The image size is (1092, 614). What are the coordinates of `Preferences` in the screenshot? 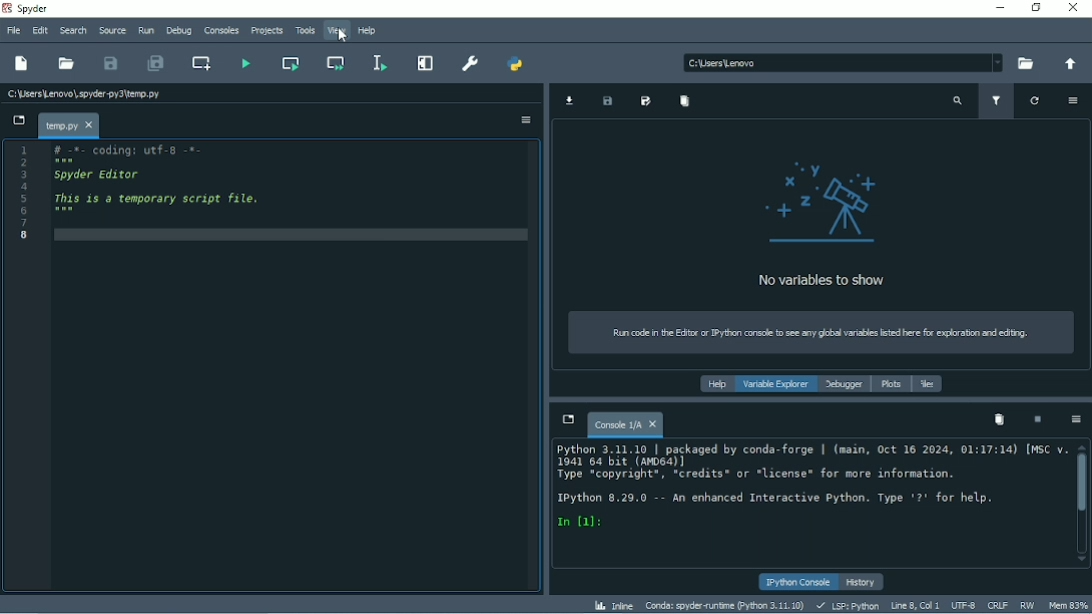 It's located at (470, 63).